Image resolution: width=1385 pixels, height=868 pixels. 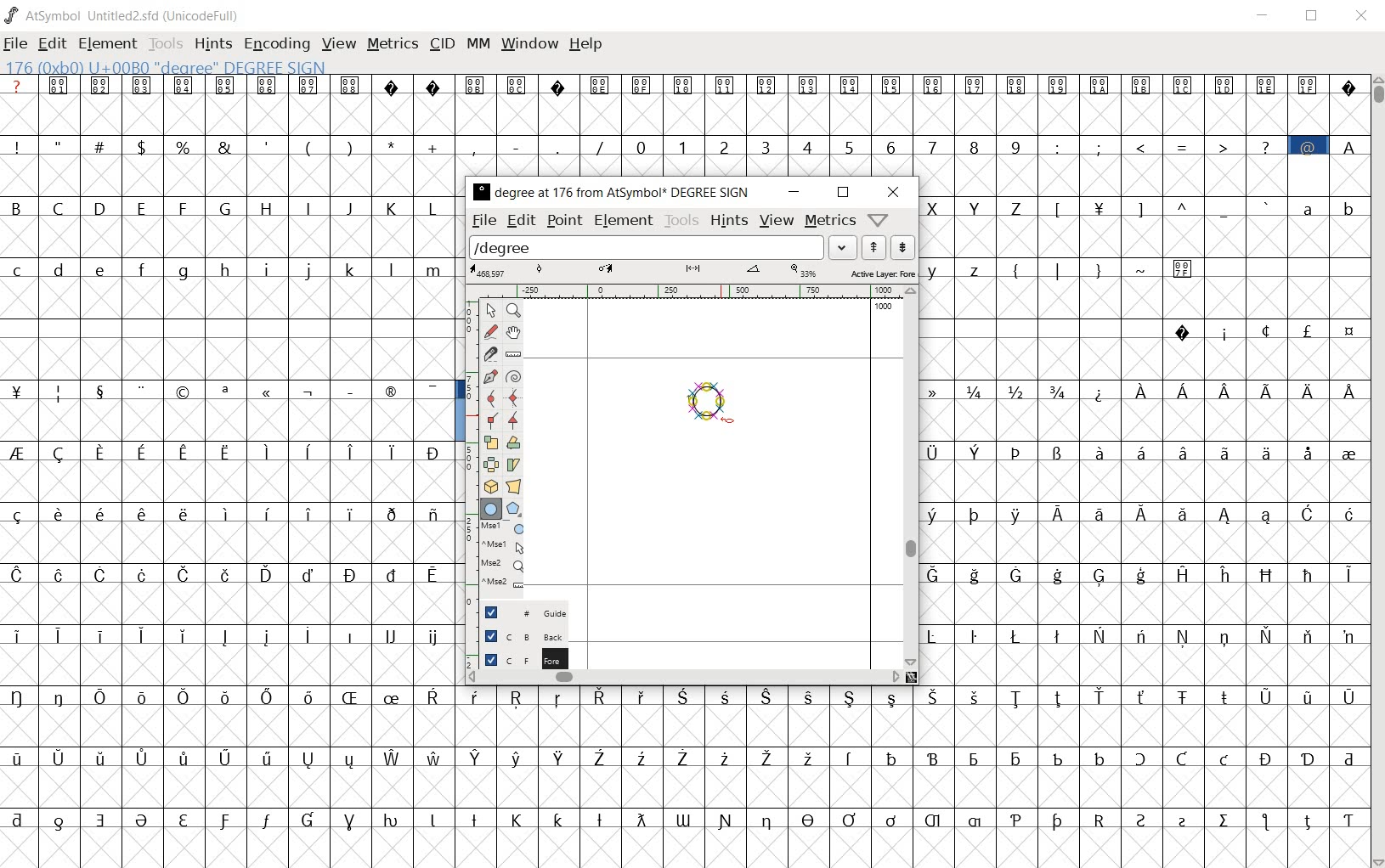 I want to click on empty glyph slots, so click(x=230, y=421).